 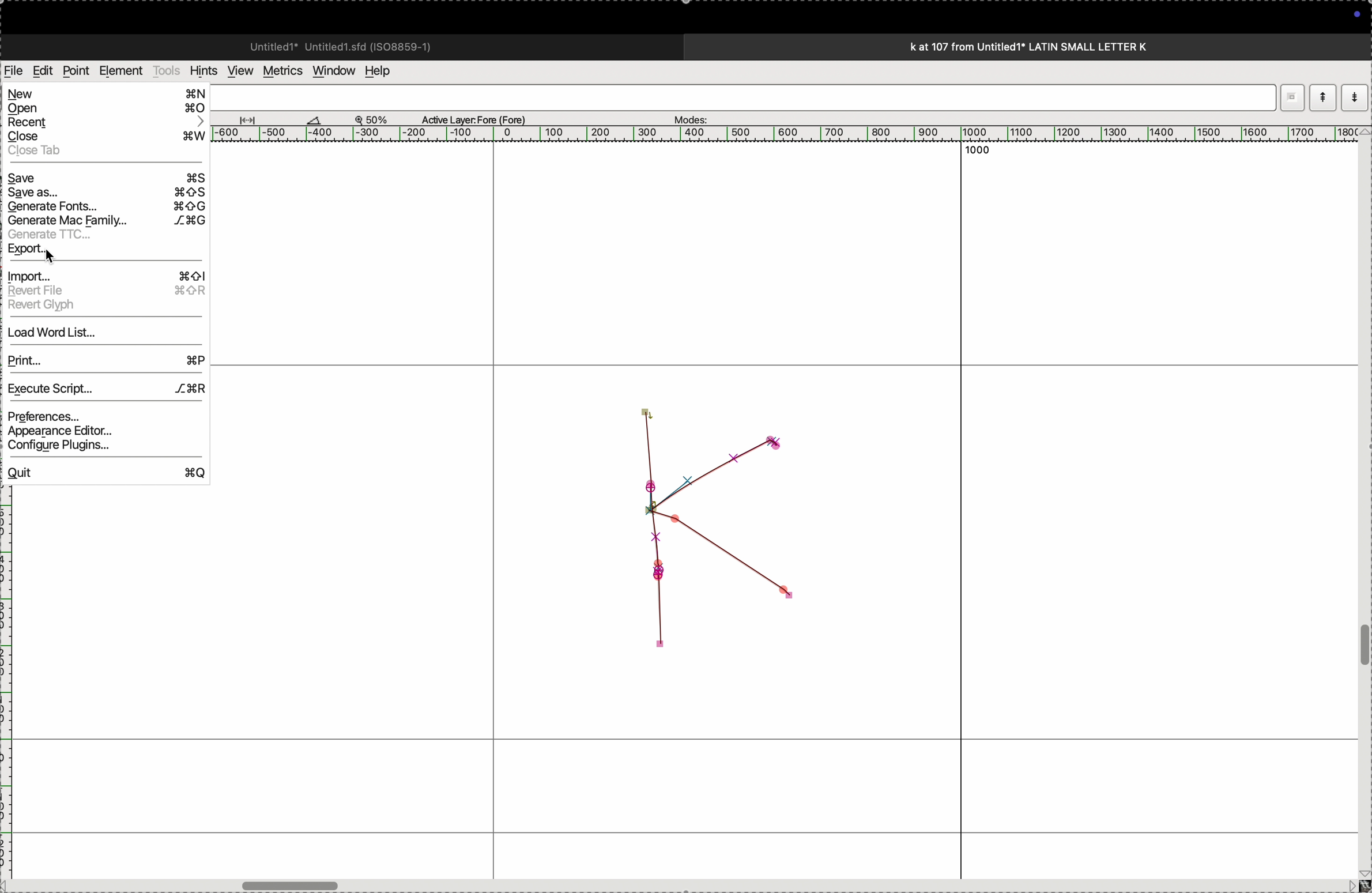 What do you see at coordinates (122, 71) in the screenshot?
I see `element` at bounding box center [122, 71].